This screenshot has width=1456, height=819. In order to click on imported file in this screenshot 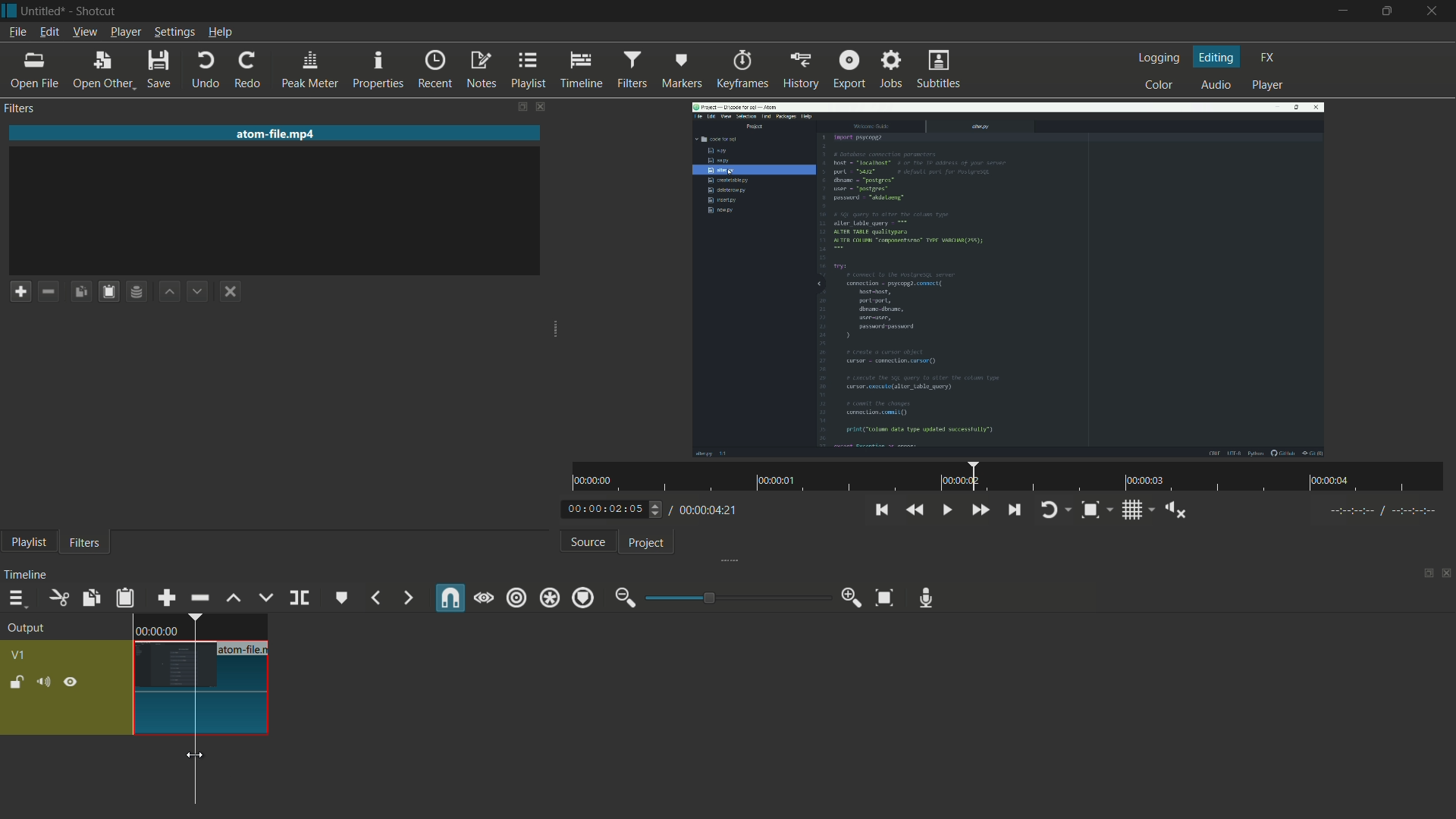, I will do `click(1009, 279)`.